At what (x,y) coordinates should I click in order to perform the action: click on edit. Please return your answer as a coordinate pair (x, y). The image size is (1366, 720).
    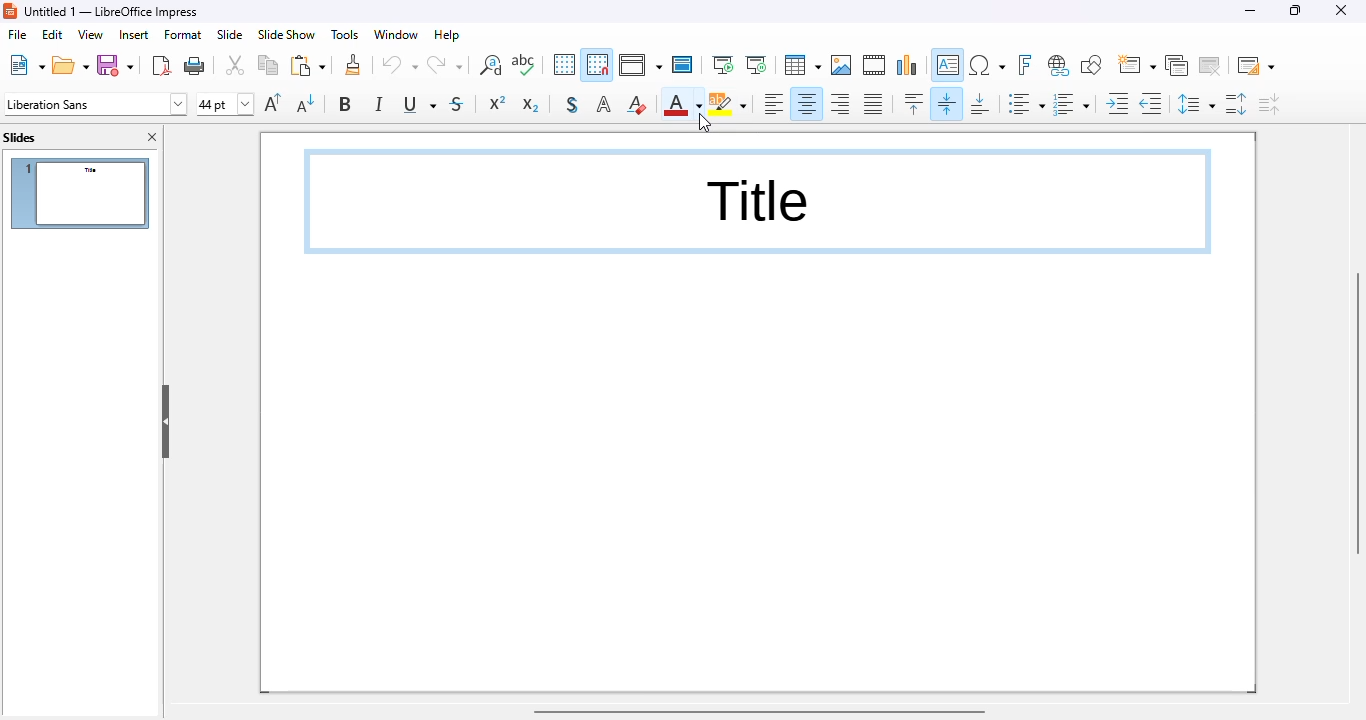
    Looking at the image, I should click on (52, 34).